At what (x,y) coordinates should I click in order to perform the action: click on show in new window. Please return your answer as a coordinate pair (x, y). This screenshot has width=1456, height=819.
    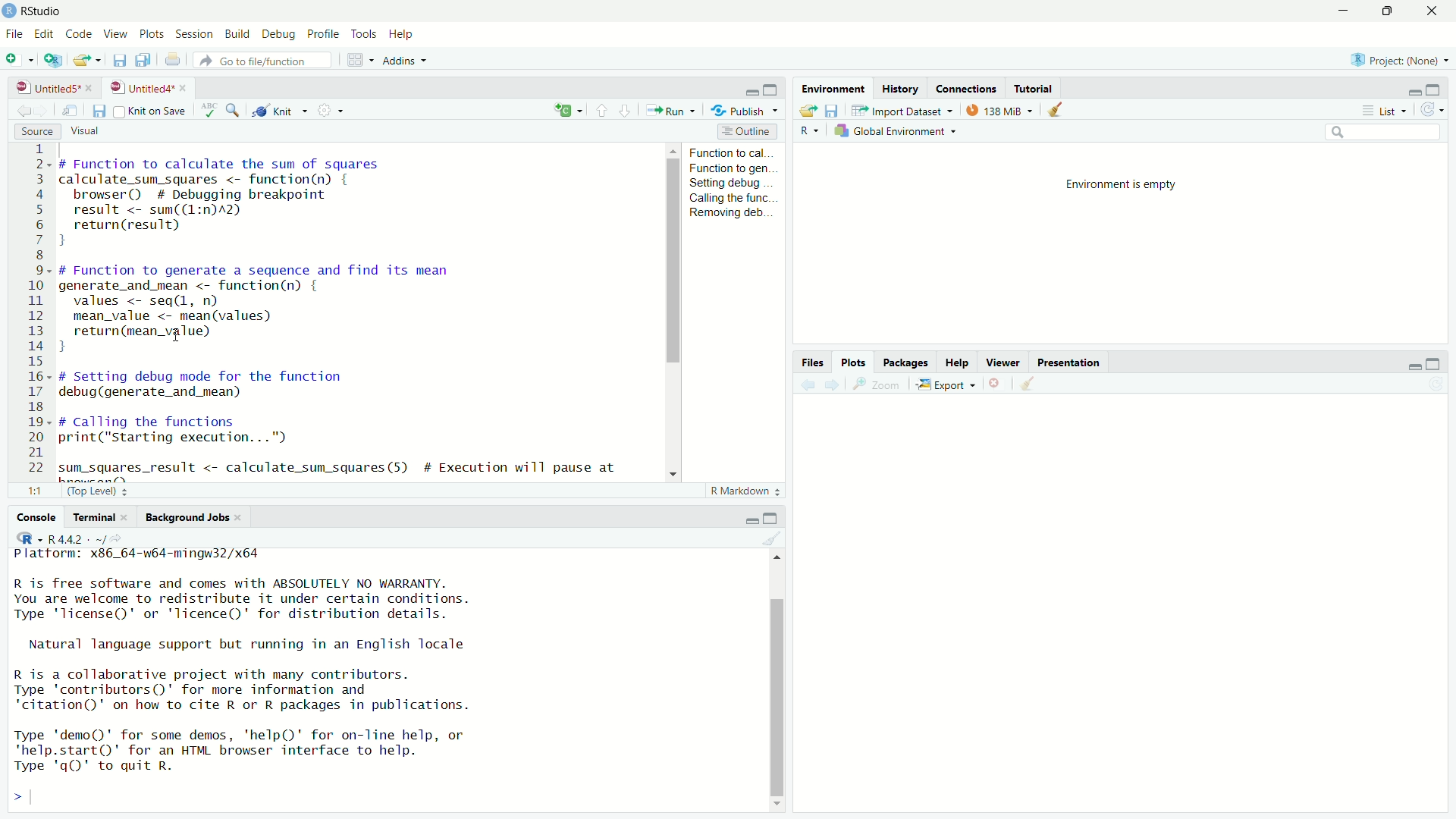
    Looking at the image, I should click on (71, 110).